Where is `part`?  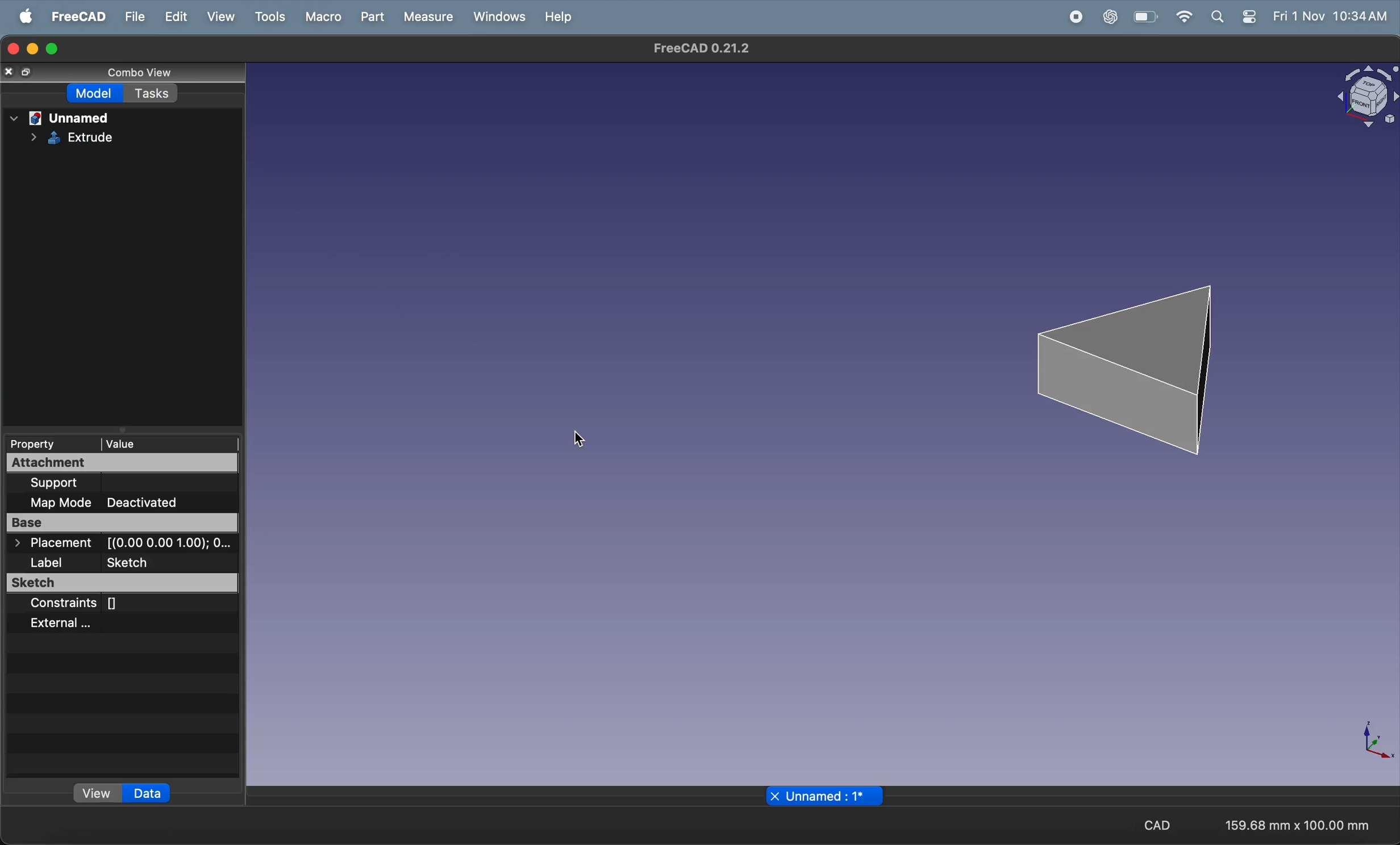
part is located at coordinates (375, 17).